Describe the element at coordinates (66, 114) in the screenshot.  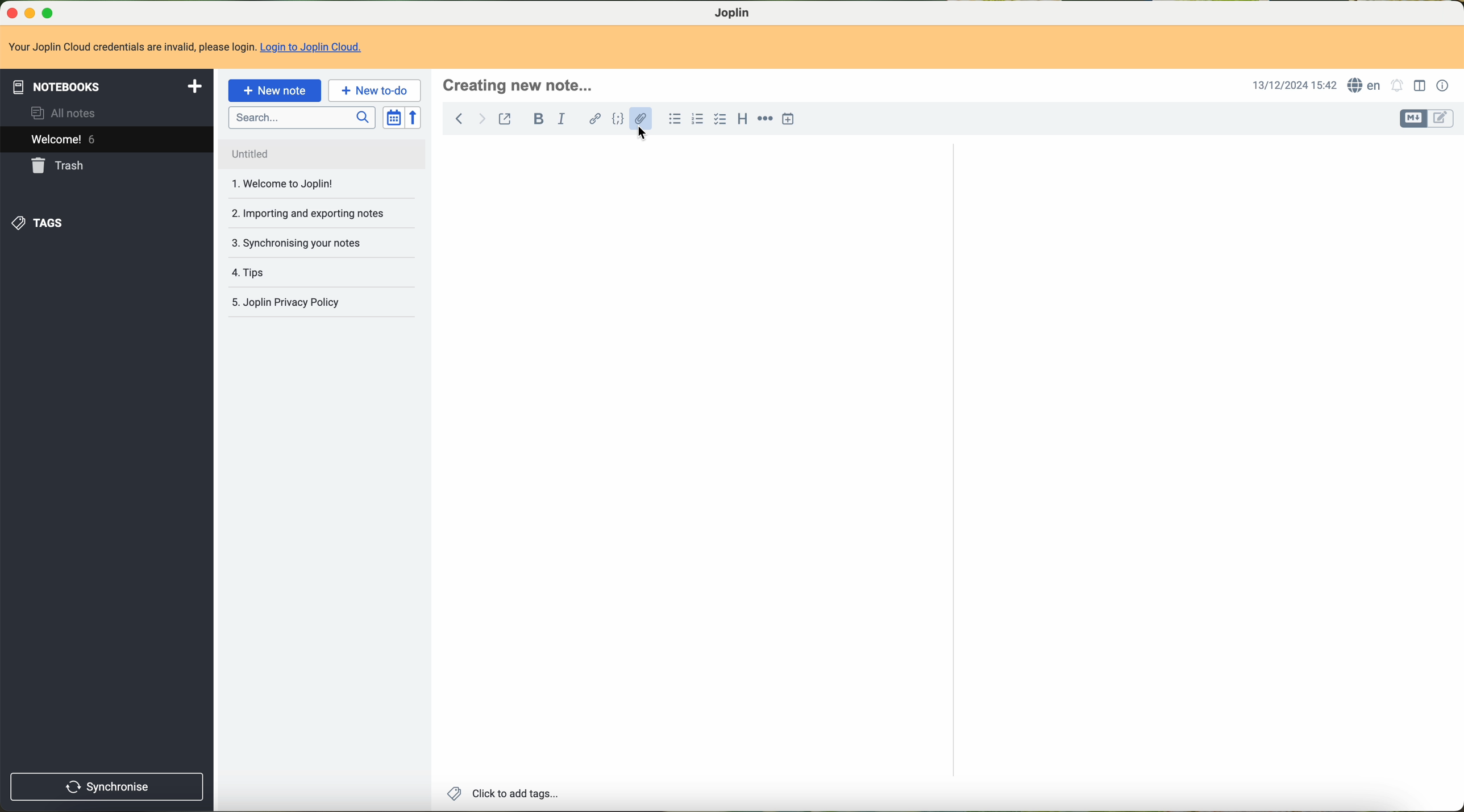
I see `all notes` at that location.